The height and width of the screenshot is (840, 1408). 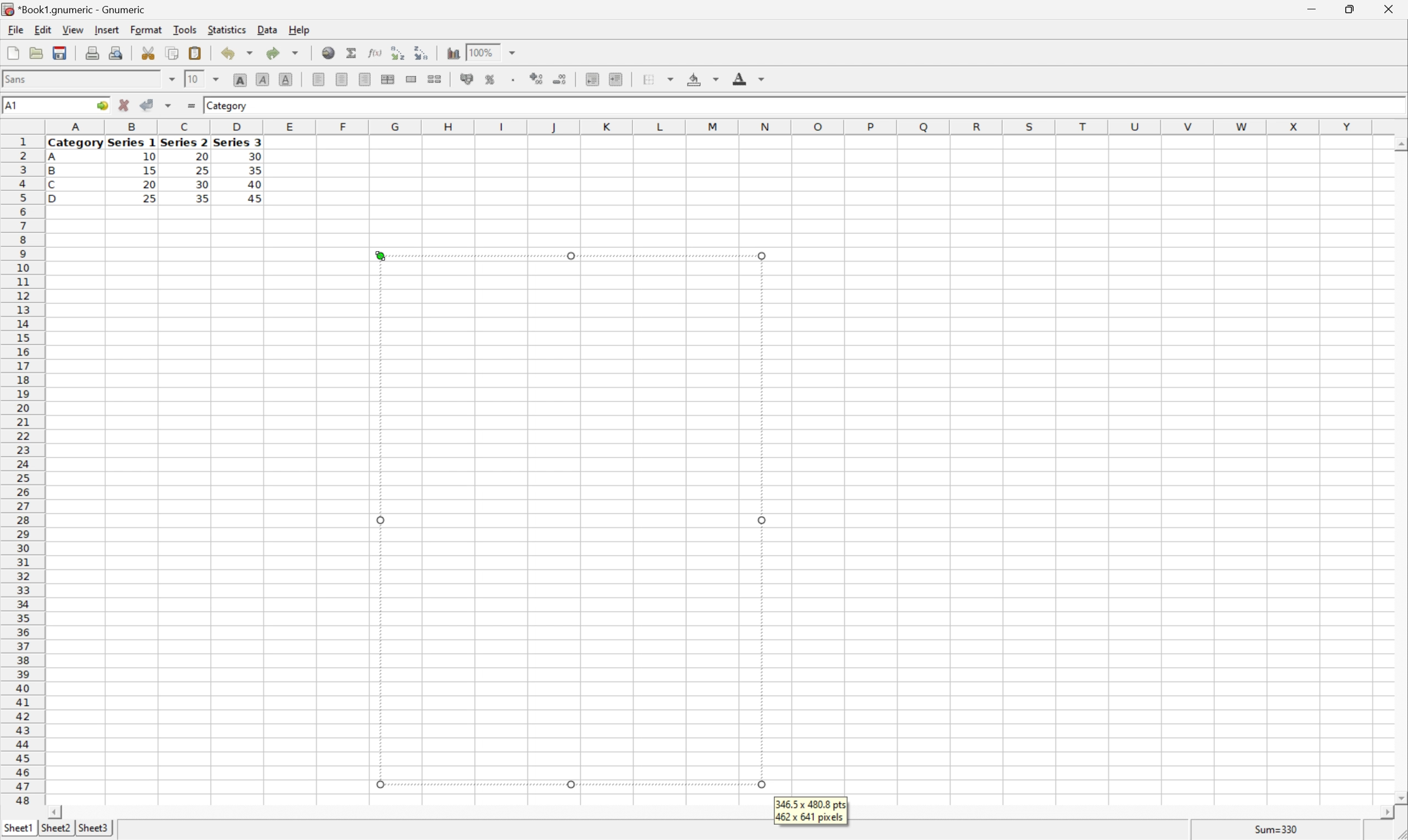 I want to click on Drop Down, so click(x=172, y=79).